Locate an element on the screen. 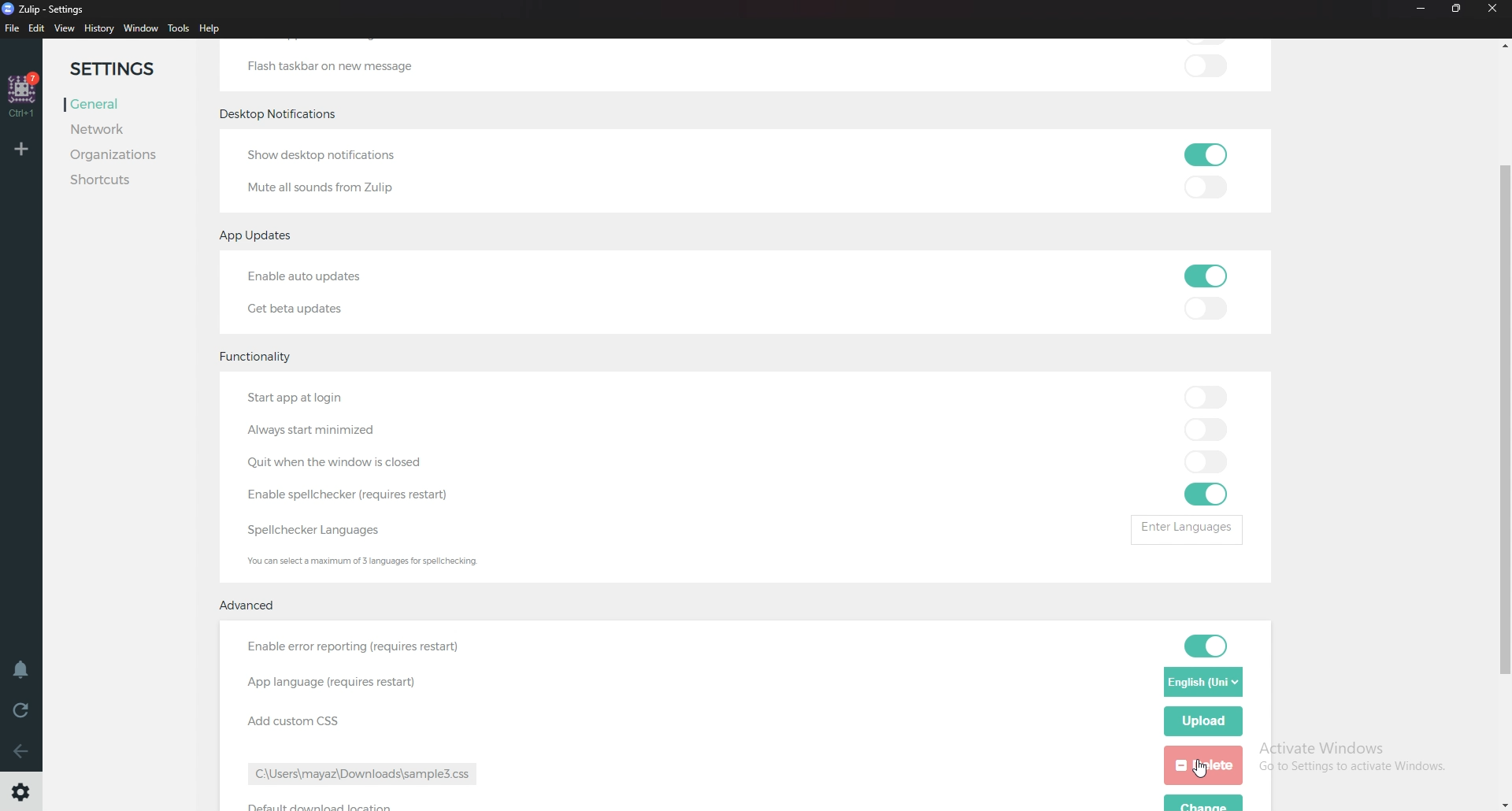 The width and height of the screenshot is (1512, 811). Window is located at coordinates (142, 28).